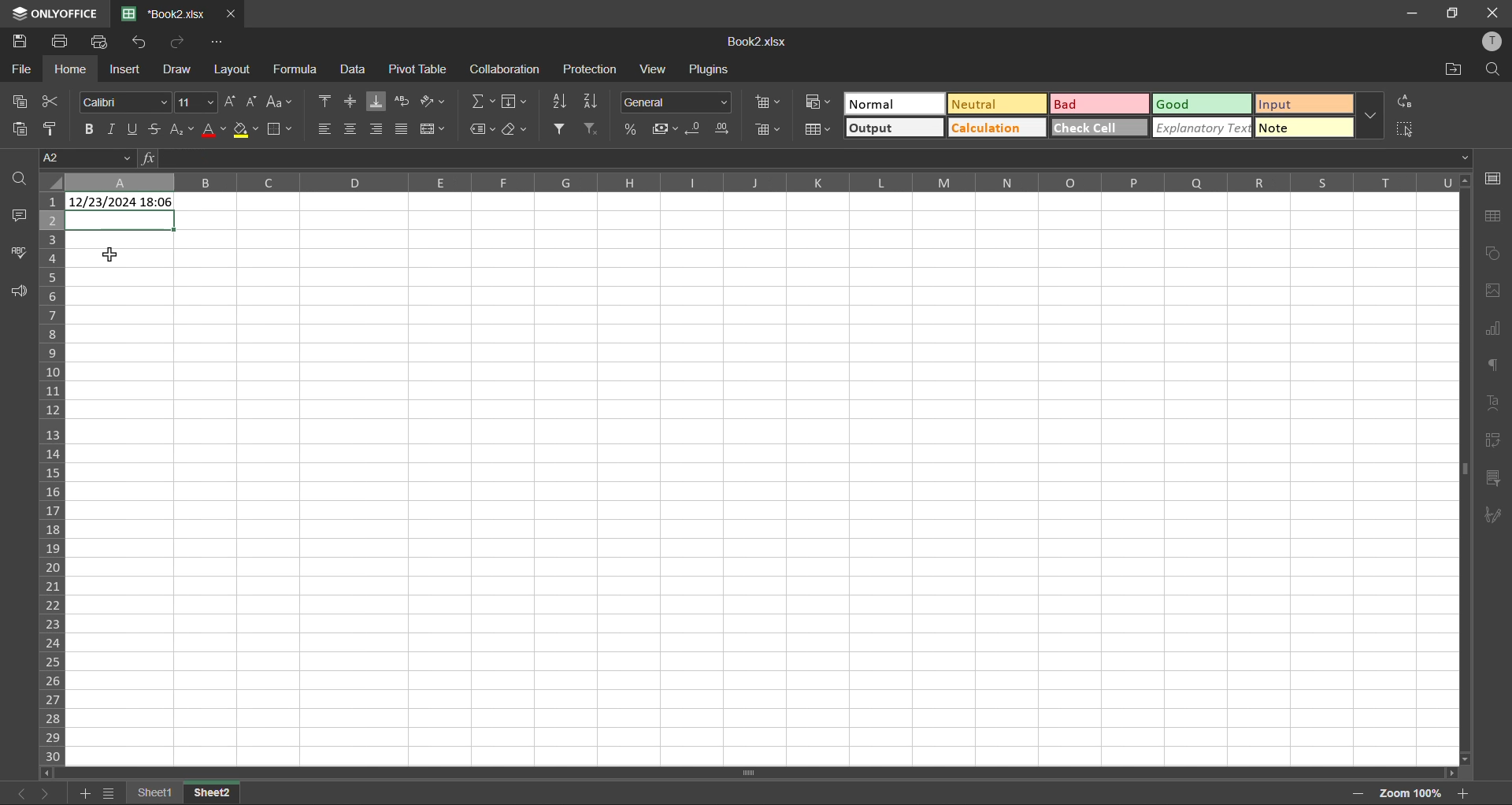 The width and height of the screenshot is (1512, 805). I want to click on spellcheck, so click(20, 251).